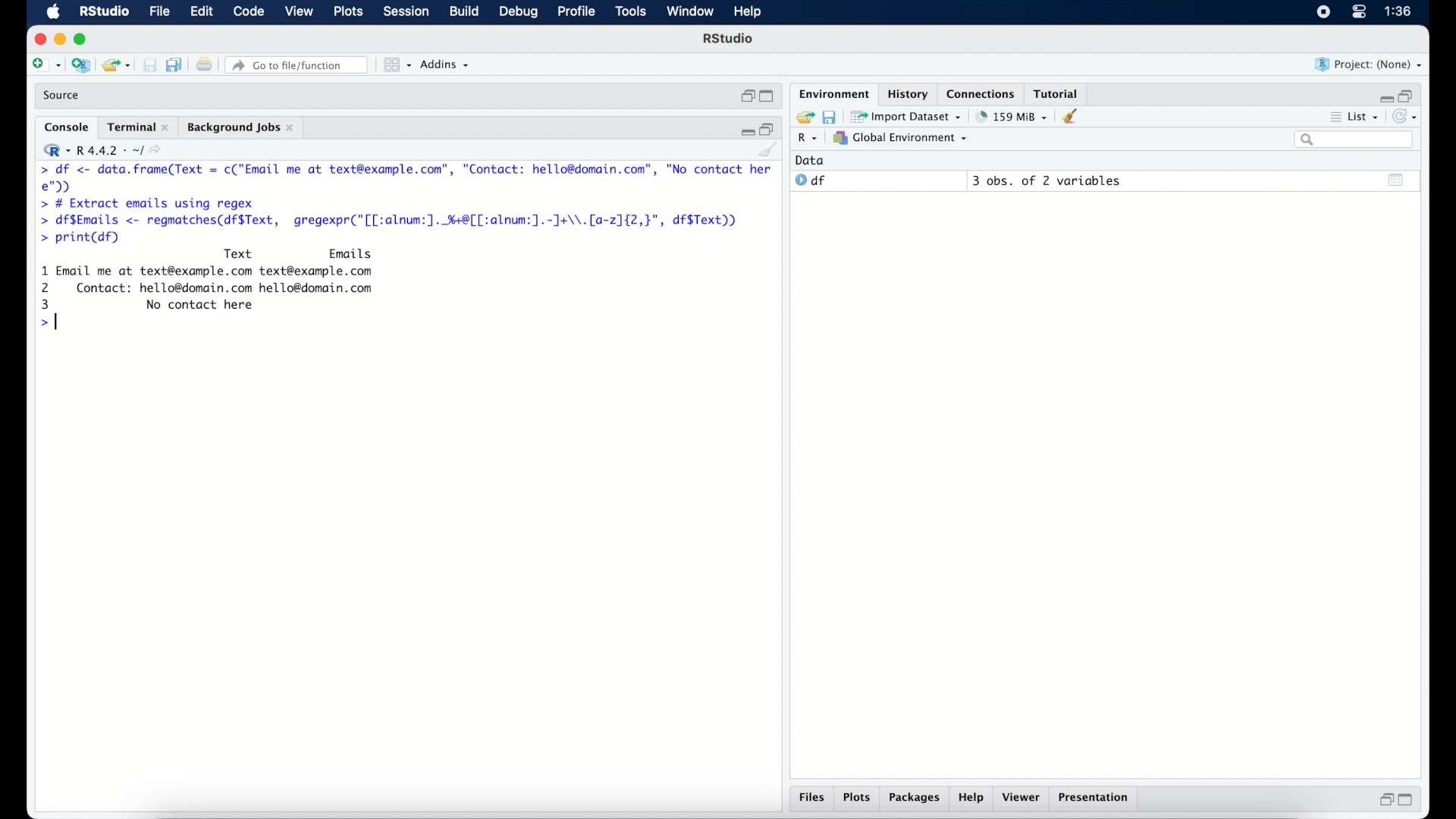 The height and width of the screenshot is (819, 1456). What do you see at coordinates (770, 129) in the screenshot?
I see `restore down` at bounding box center [770, 129].